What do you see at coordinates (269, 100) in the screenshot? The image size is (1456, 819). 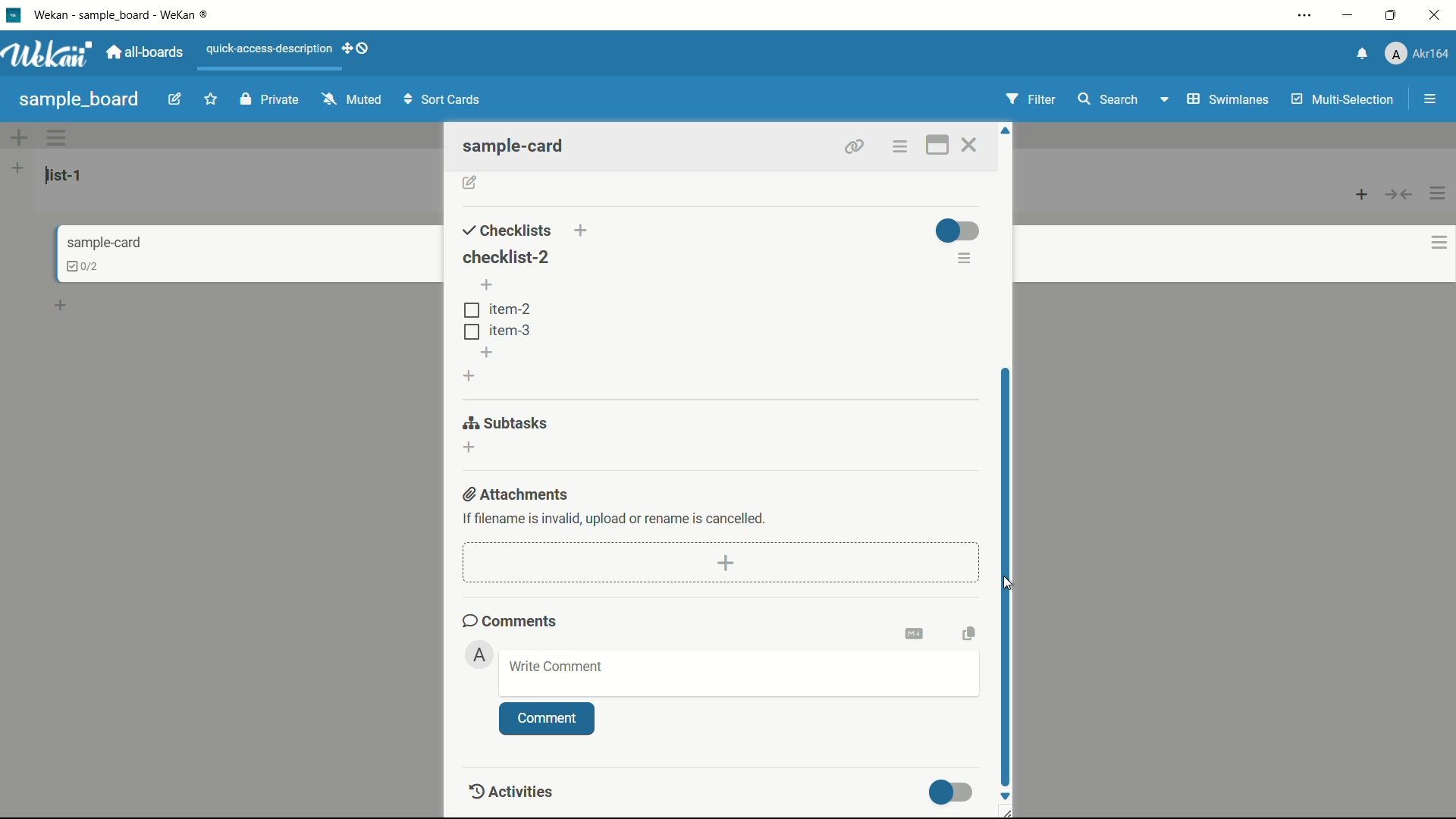 I see `private` at bounding box center [269, 100].